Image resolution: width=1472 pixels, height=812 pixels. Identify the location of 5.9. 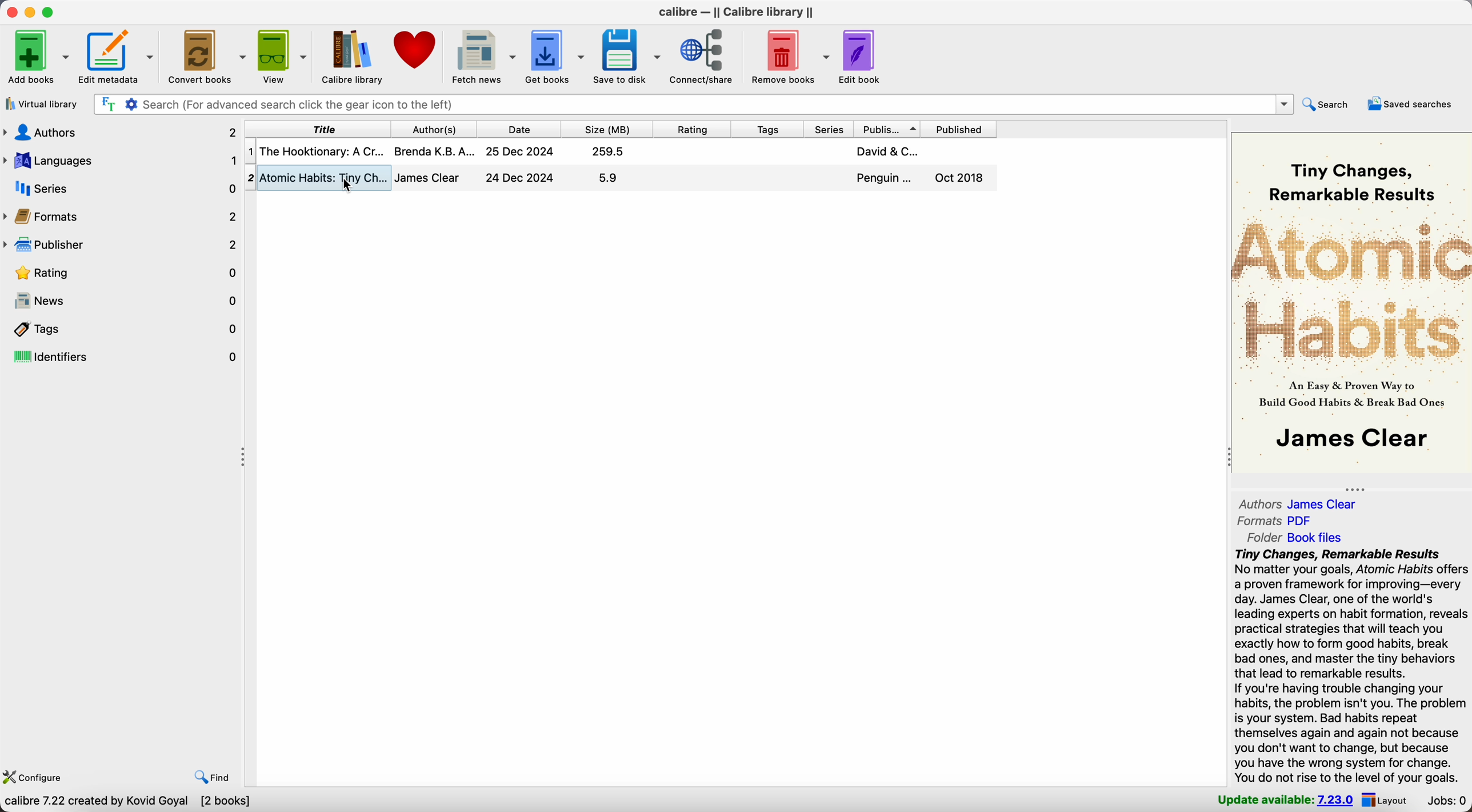
(607, 177).